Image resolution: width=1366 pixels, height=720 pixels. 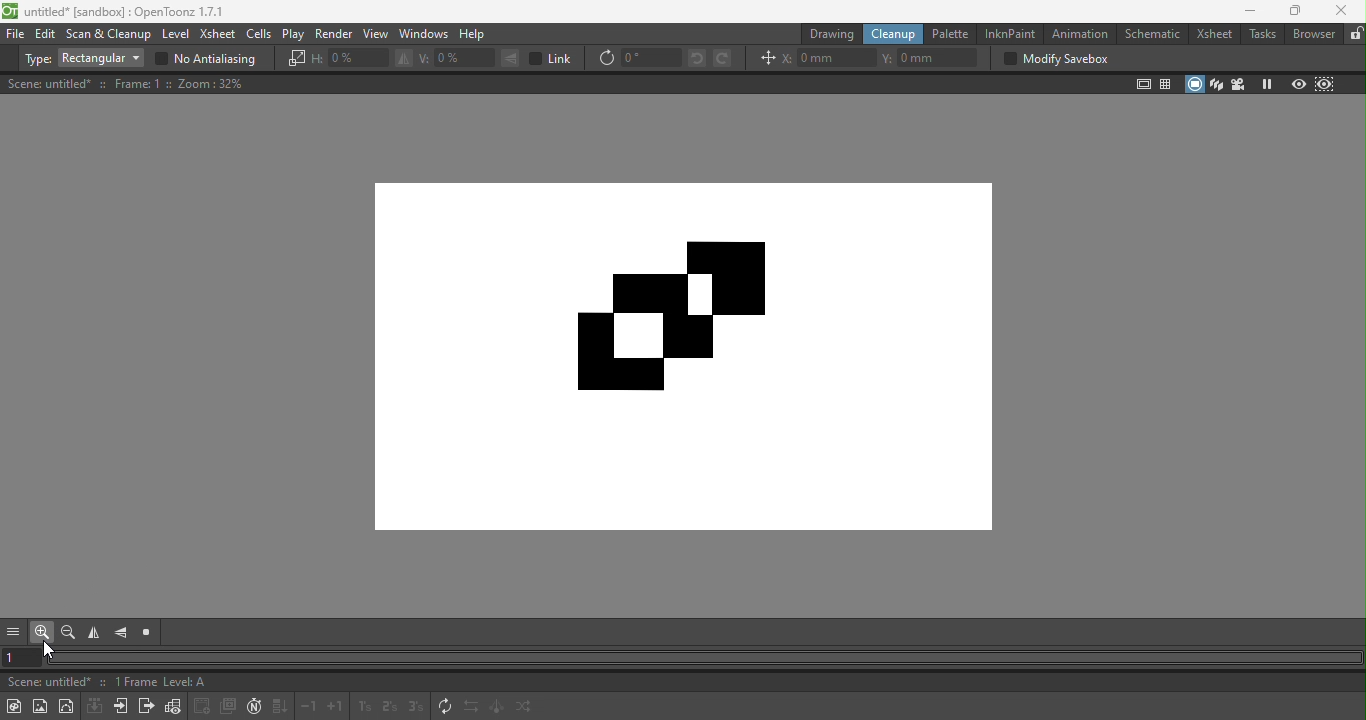 What do you see at coordinates (1356, 34) in the screenshot?
I see `Lock rooms tab` at bounding box center [1356, 34].